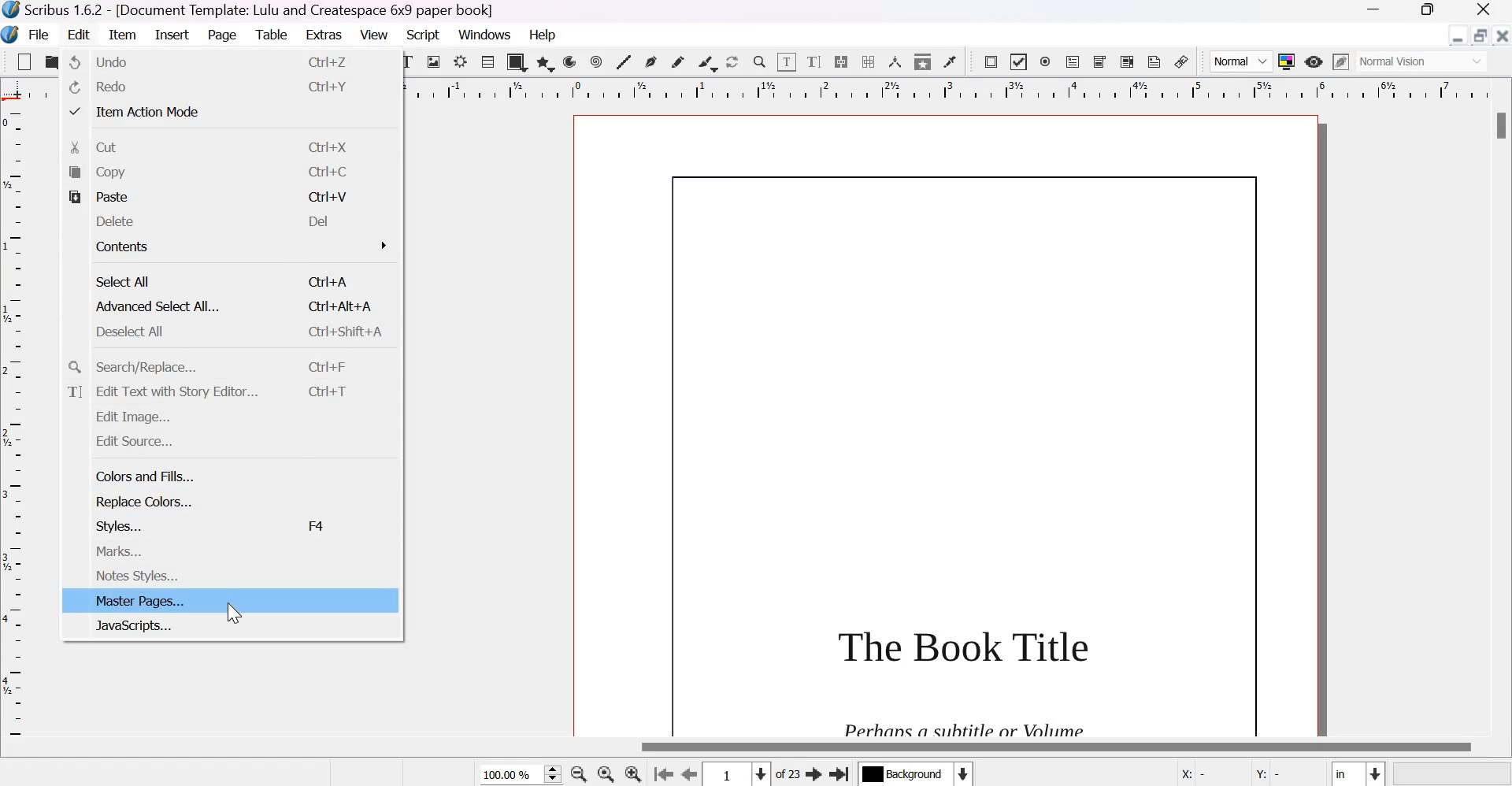 The width and height of the screenshot is (1512, 786). I want to click on paste icon, so click(75, 198).